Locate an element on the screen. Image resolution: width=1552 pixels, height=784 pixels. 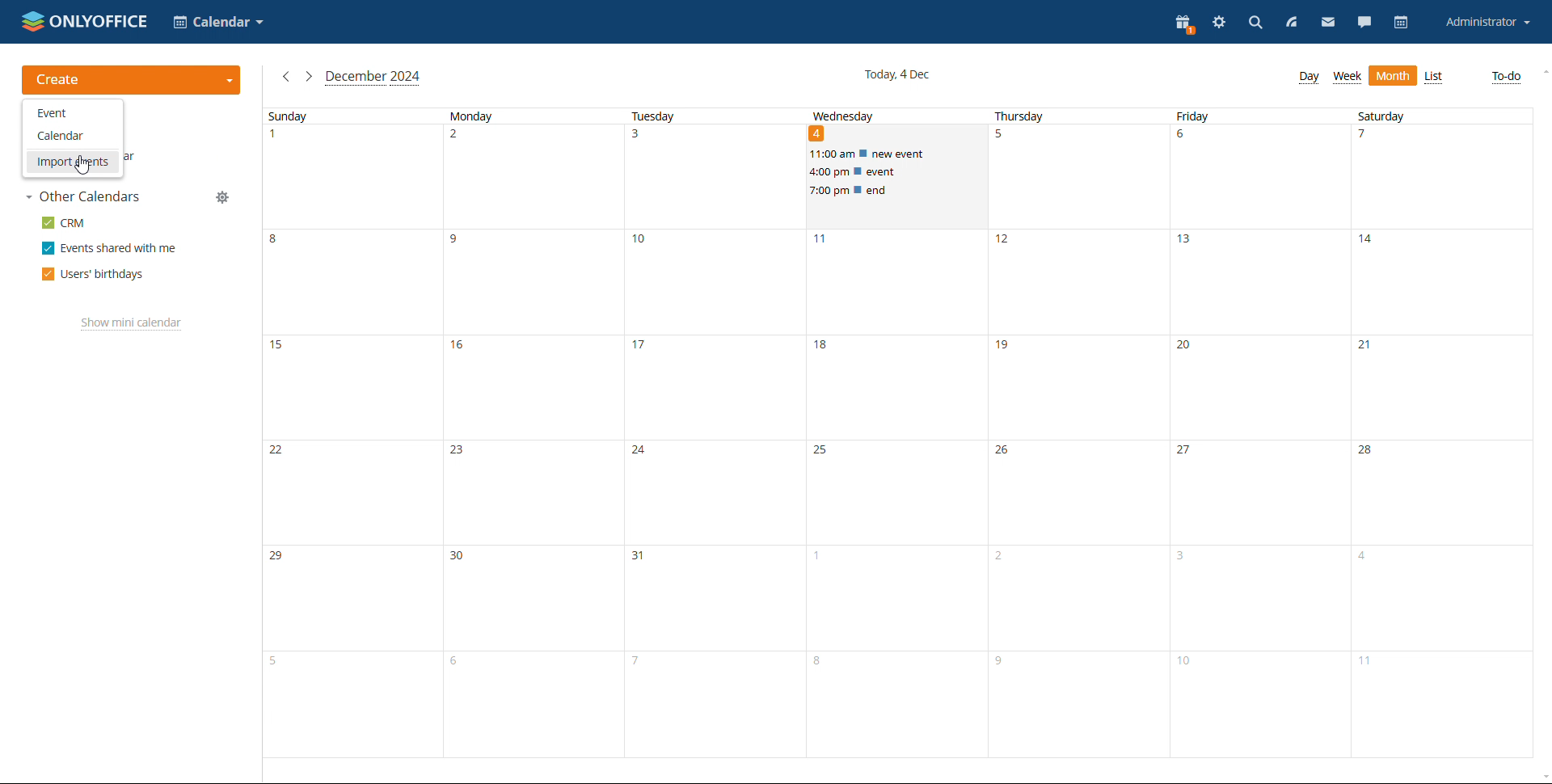
search is located at coordinates (1255, 23).